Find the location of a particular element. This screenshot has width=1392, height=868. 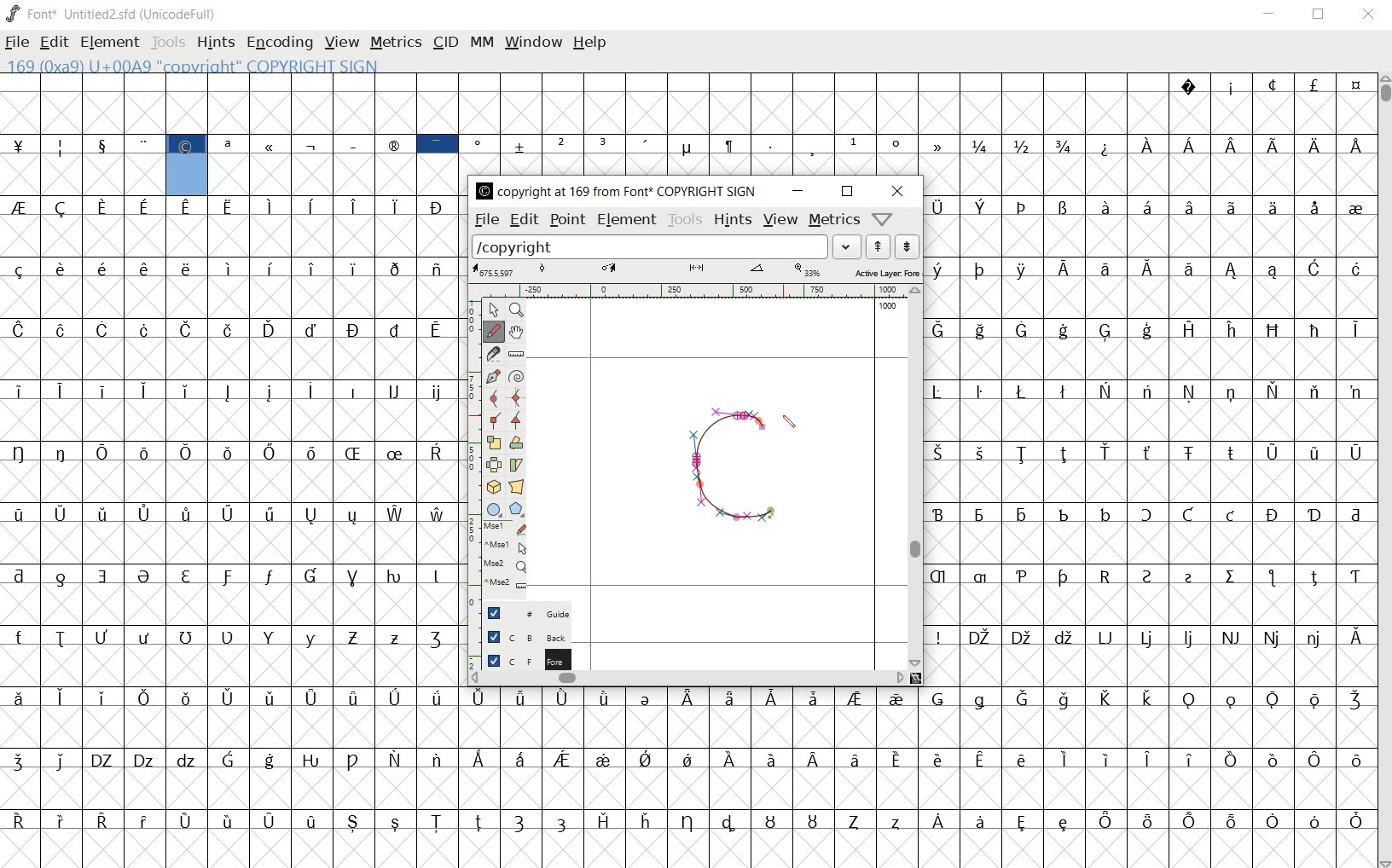

POINTER is located at coordinates (493, 309).